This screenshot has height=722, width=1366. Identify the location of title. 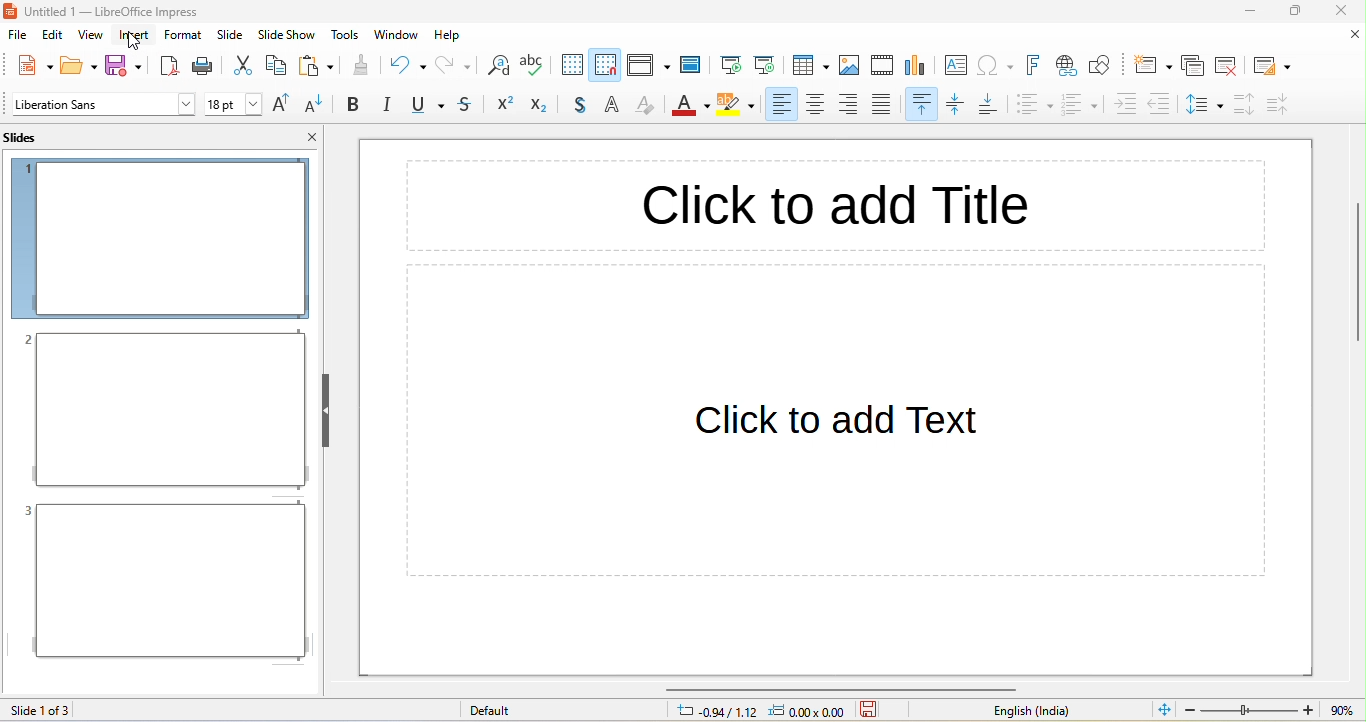
(128, 12).